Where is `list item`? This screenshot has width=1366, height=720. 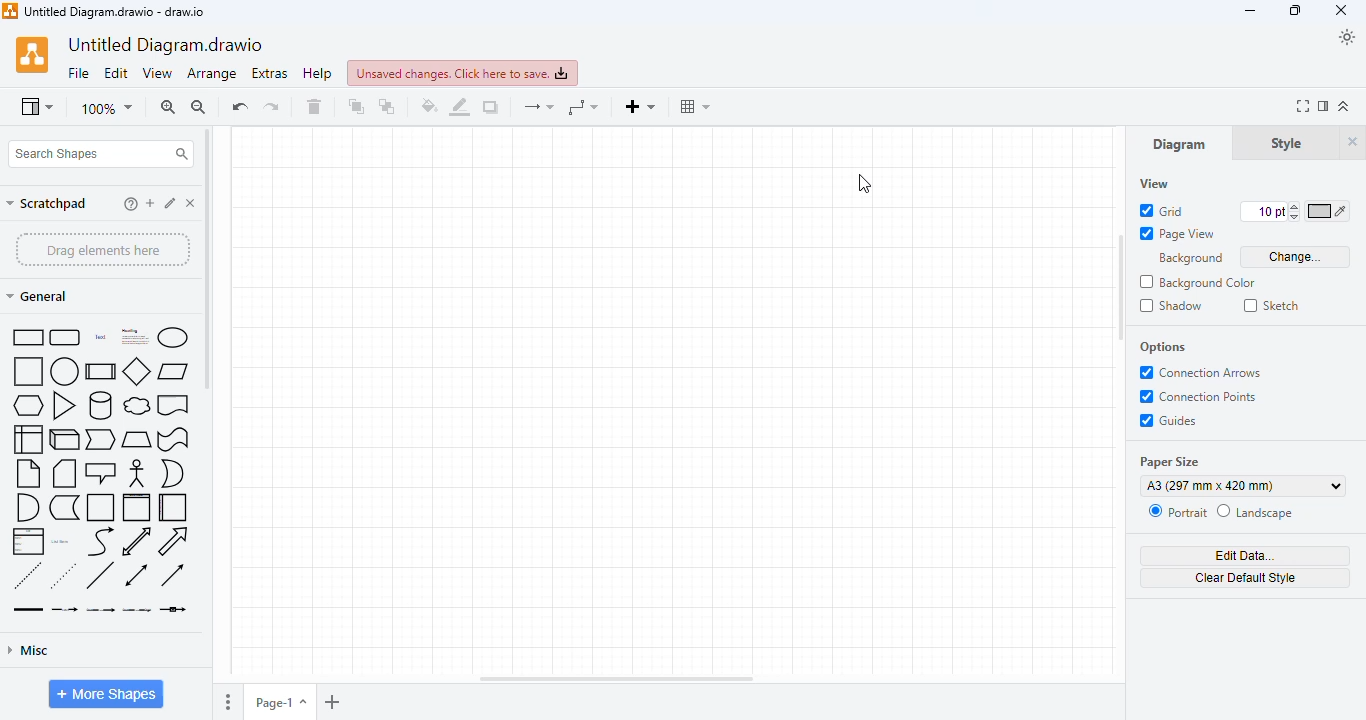
list item is located at coordinates (62, 542).